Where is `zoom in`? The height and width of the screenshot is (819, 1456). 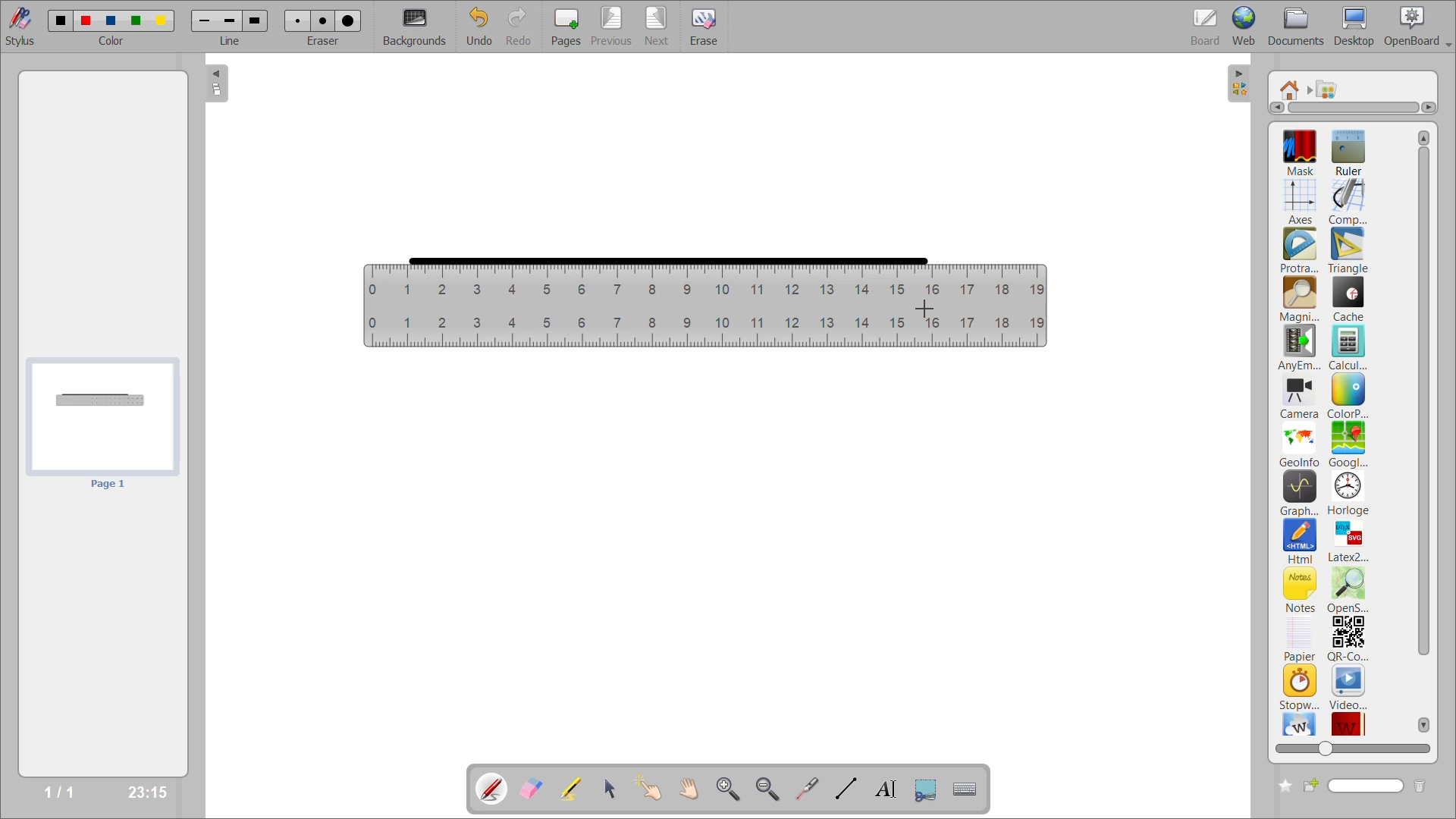
zoom in is located at coordinates (731, 789).